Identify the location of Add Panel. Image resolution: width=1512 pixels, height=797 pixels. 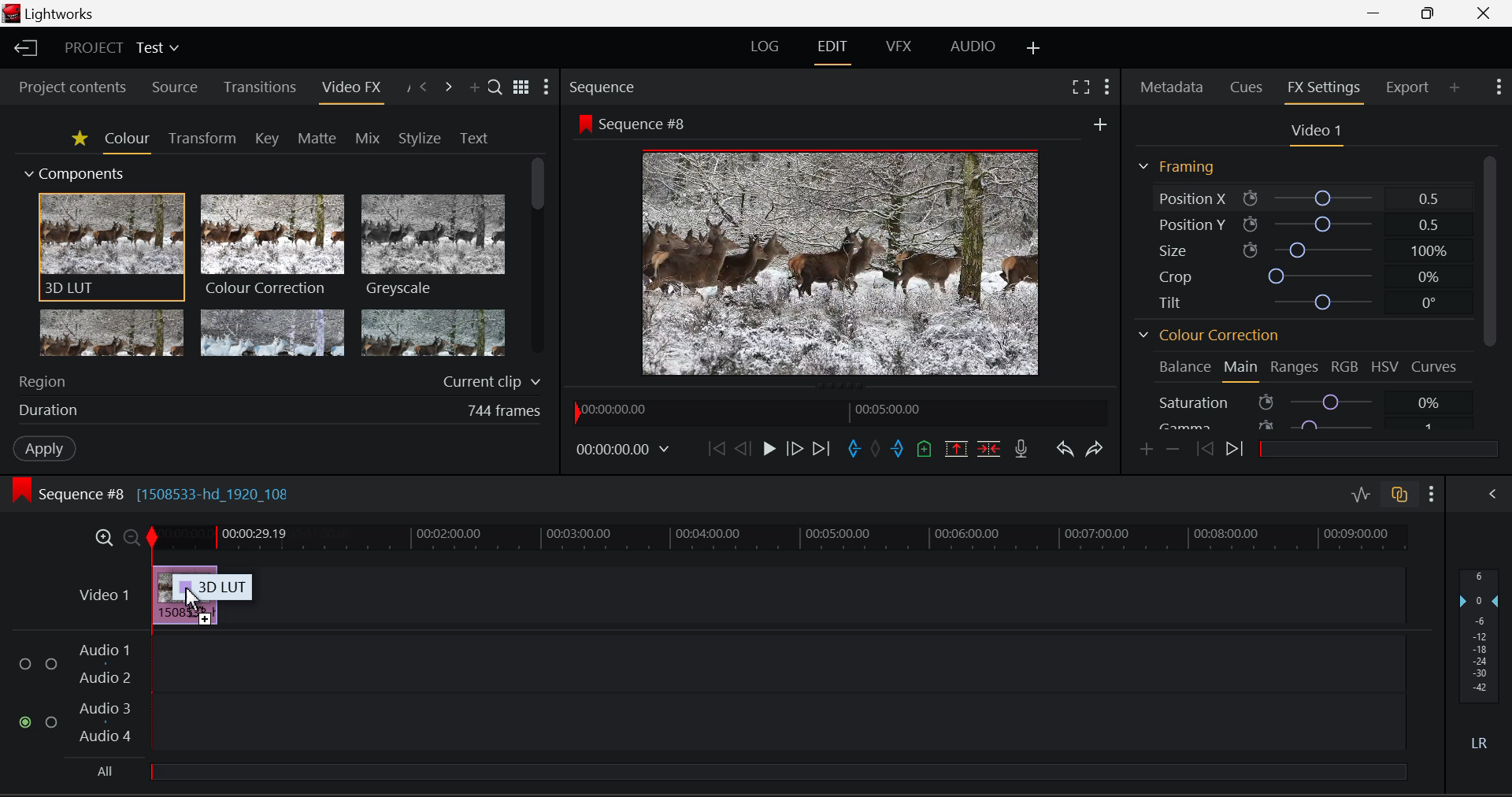
(474, 85).